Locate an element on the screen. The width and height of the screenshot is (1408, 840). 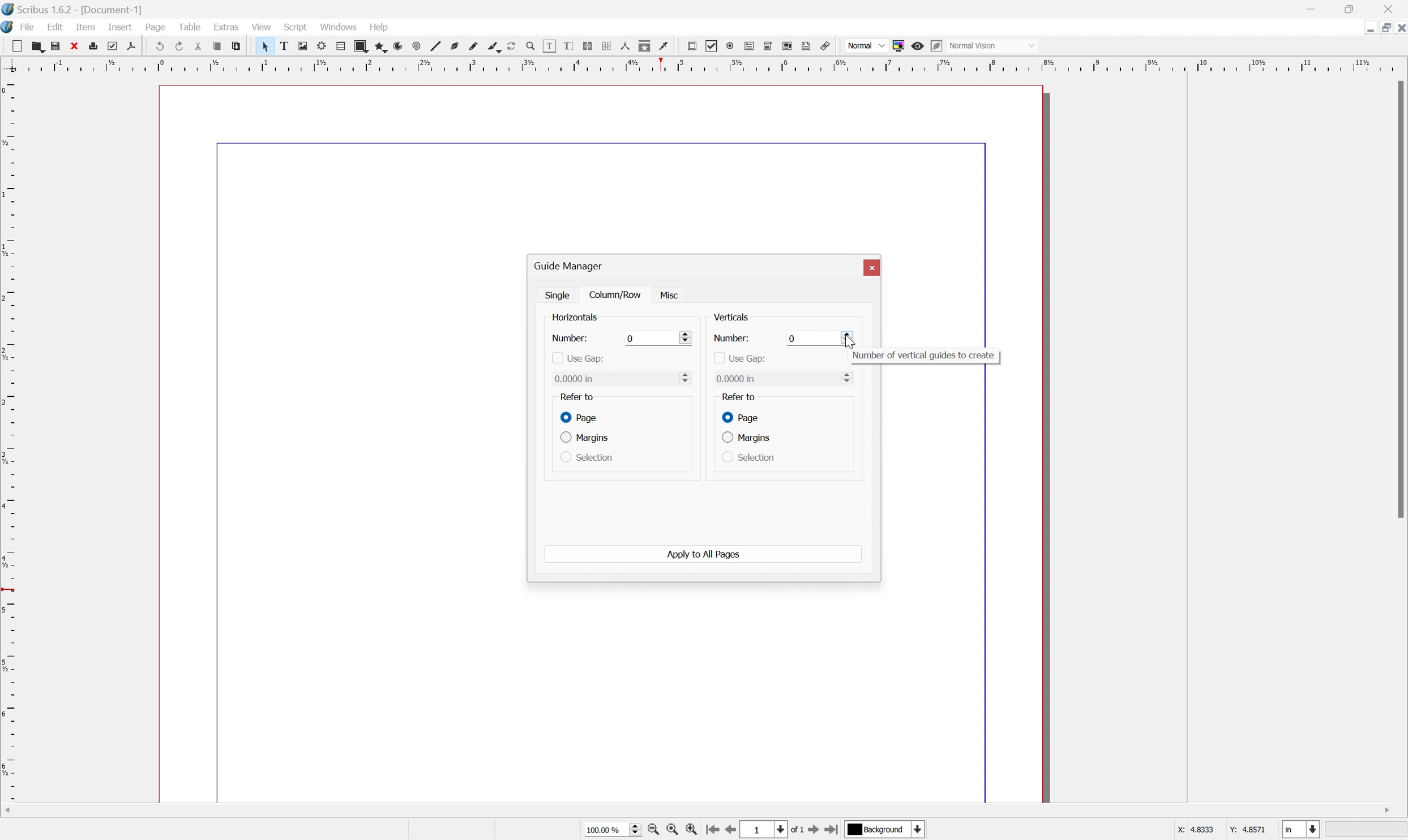
page is located at coordinates (155, 27).